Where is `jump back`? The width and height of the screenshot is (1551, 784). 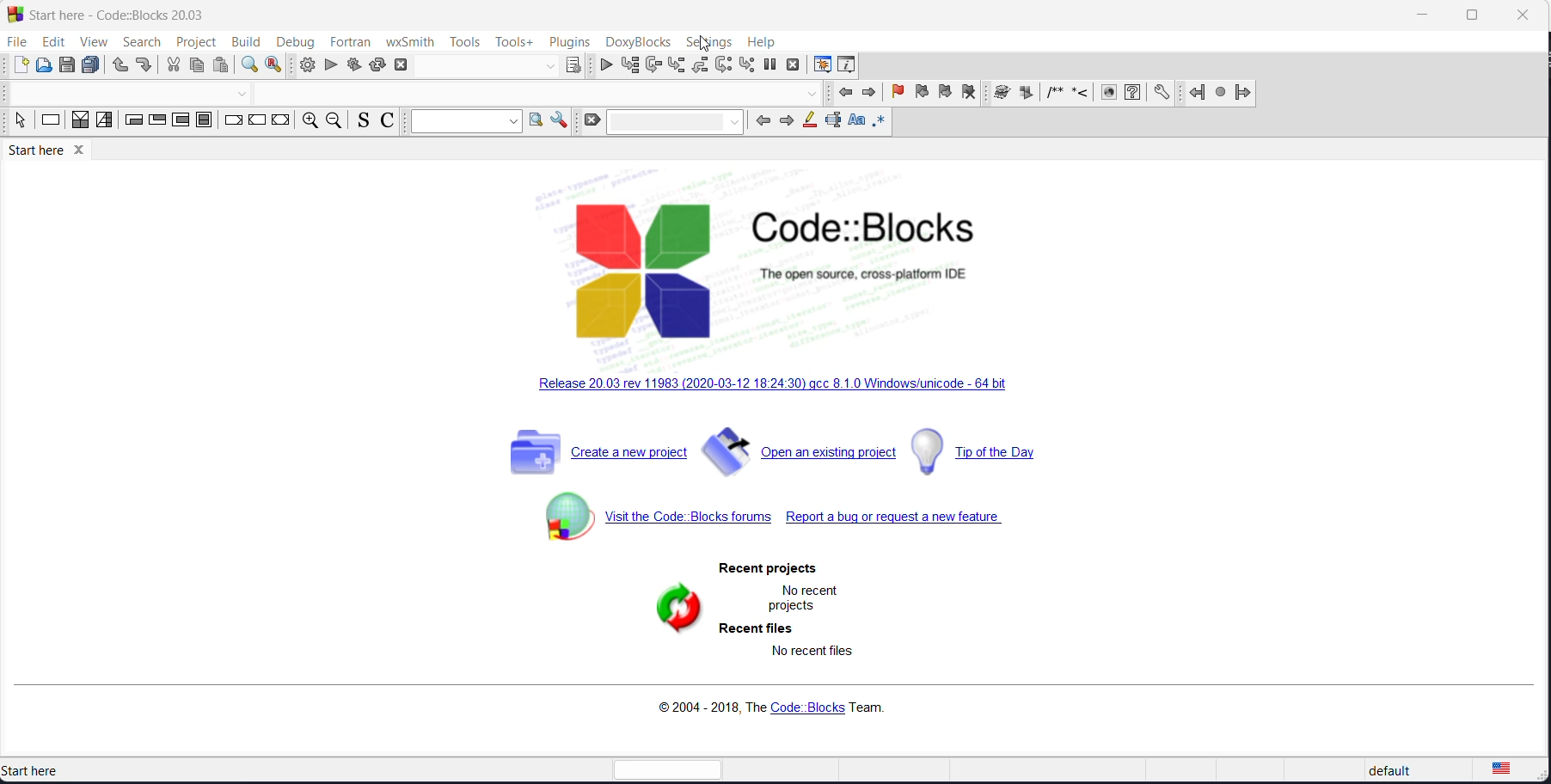 jump back is located at coordinates (1196, 93).